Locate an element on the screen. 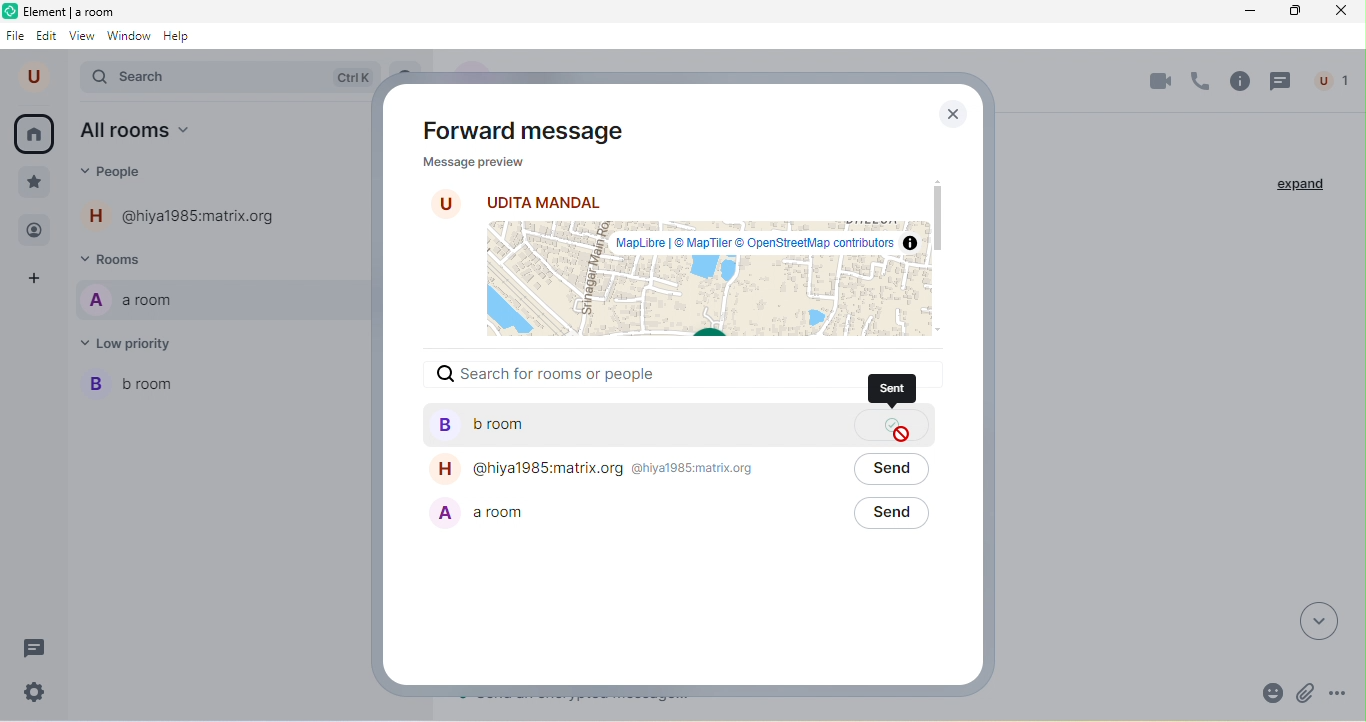 The image size is (1366, 722). more options is located at coordinates (1339, 690).